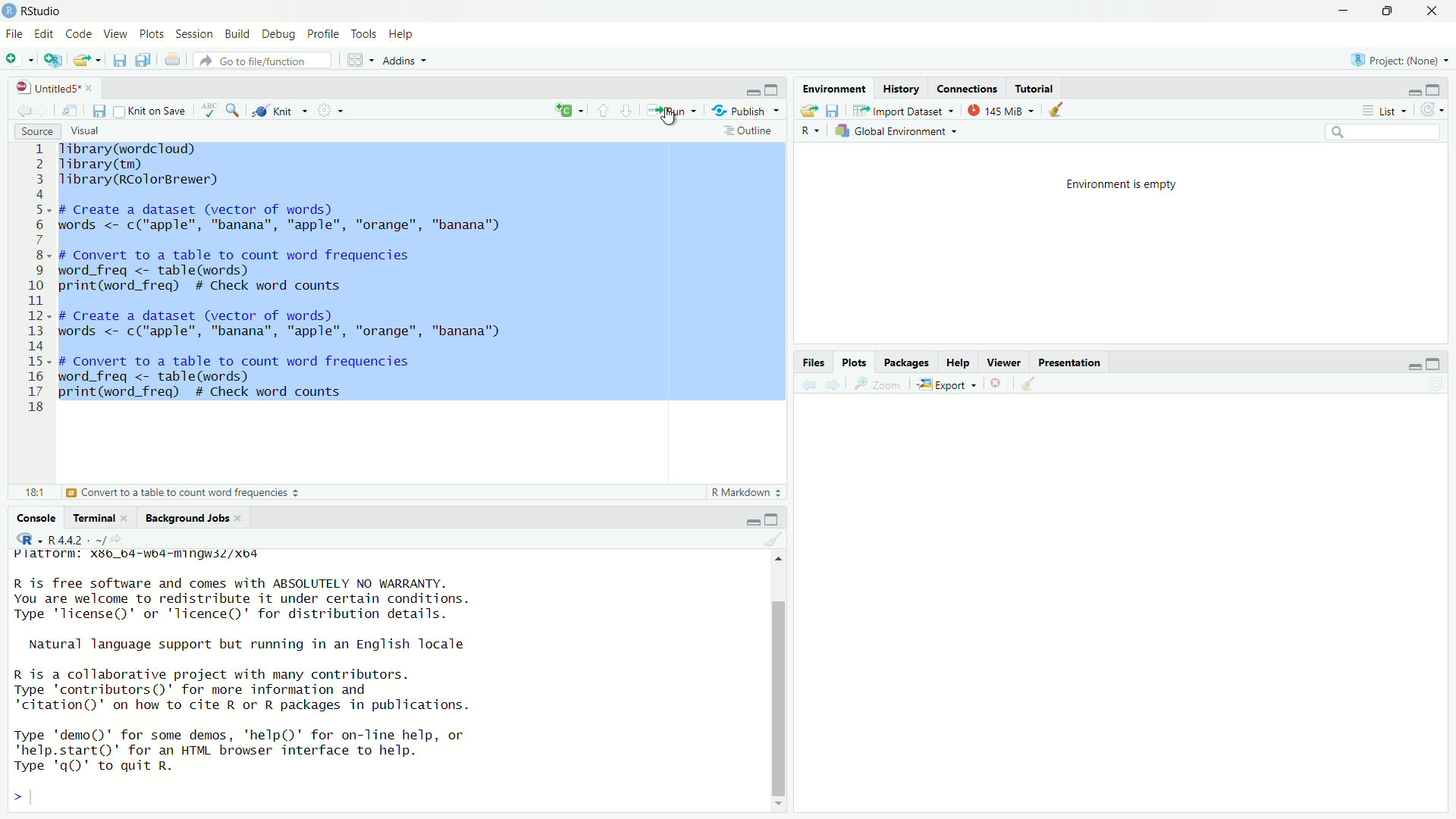 This screenshot has height=819, width=1456. I want to click on Back, so click(805, 384).